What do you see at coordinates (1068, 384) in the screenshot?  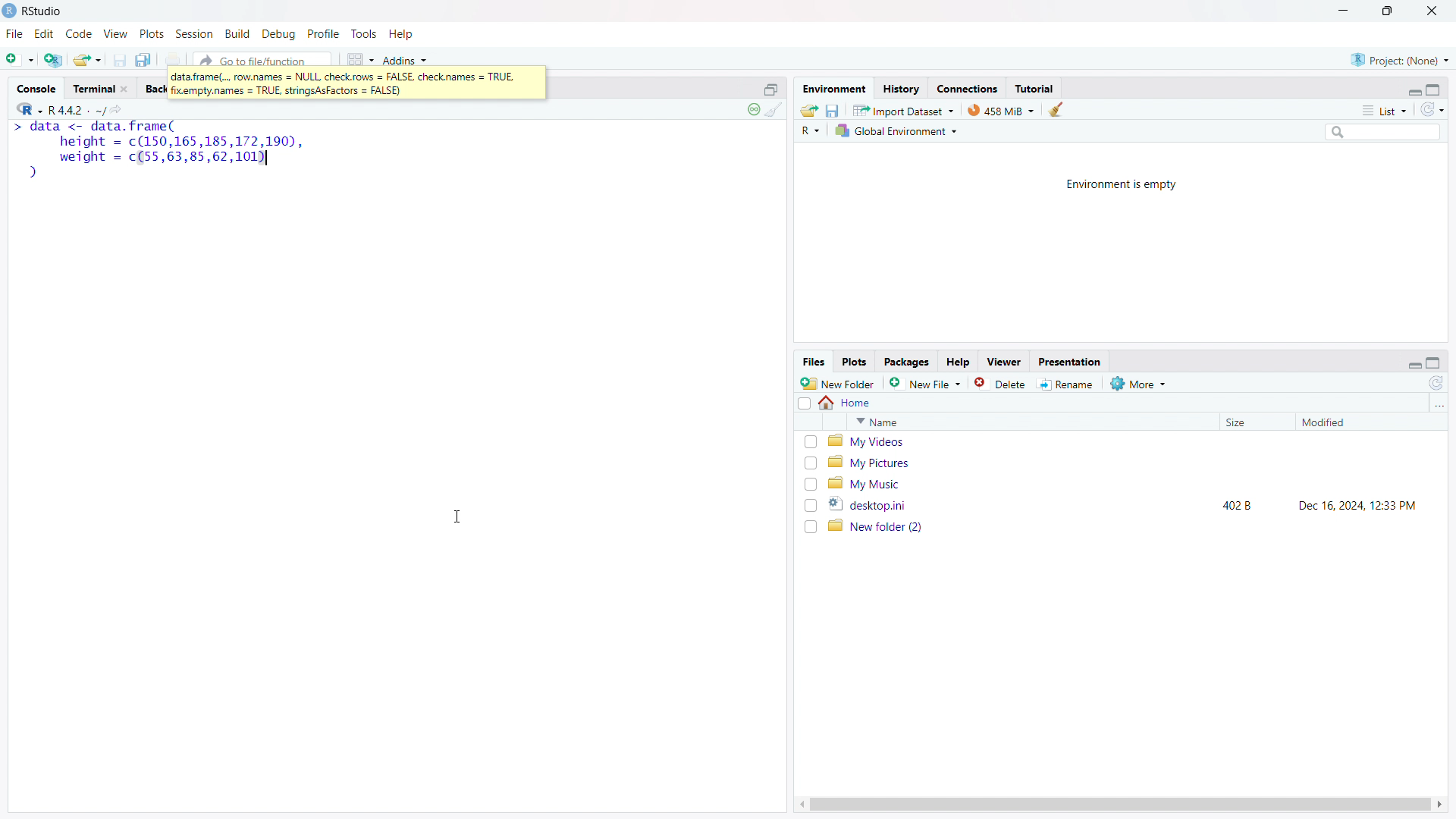 I see `rename` at bounding box center [1068, 384].